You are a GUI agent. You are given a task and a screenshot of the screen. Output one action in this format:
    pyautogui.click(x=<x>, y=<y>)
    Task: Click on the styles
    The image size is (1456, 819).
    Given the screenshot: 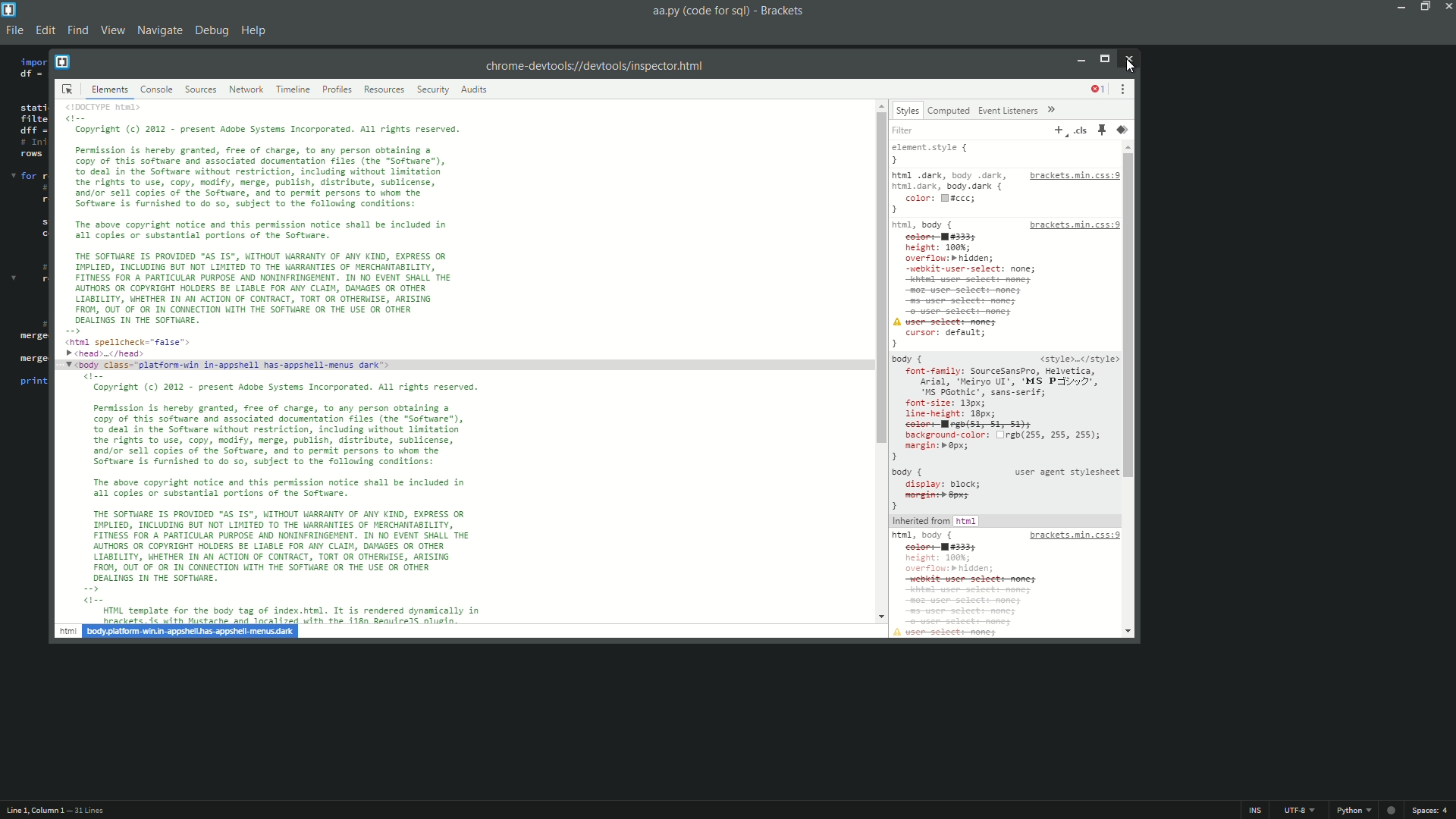 What is the action you would take?
    pyautogui.click(x=907, y=110)
    